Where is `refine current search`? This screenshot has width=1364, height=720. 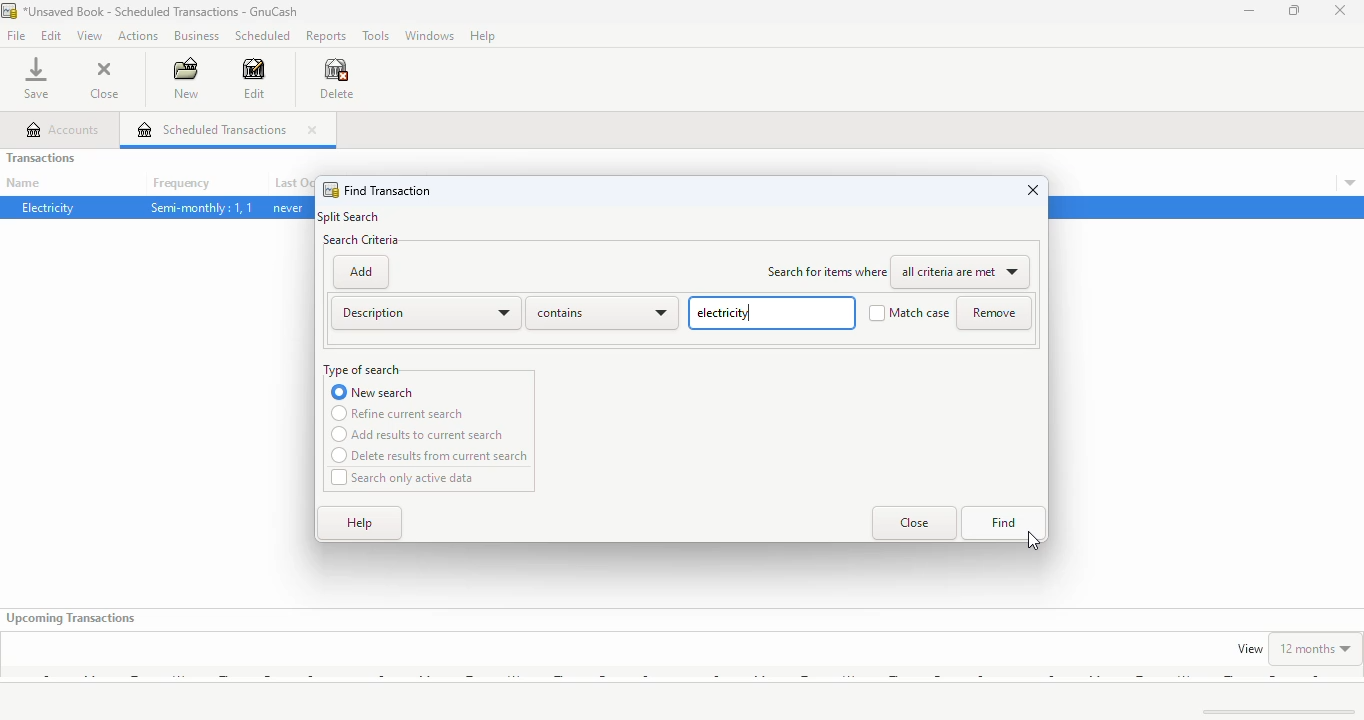 refine current search is located at coordinates (398, 413).